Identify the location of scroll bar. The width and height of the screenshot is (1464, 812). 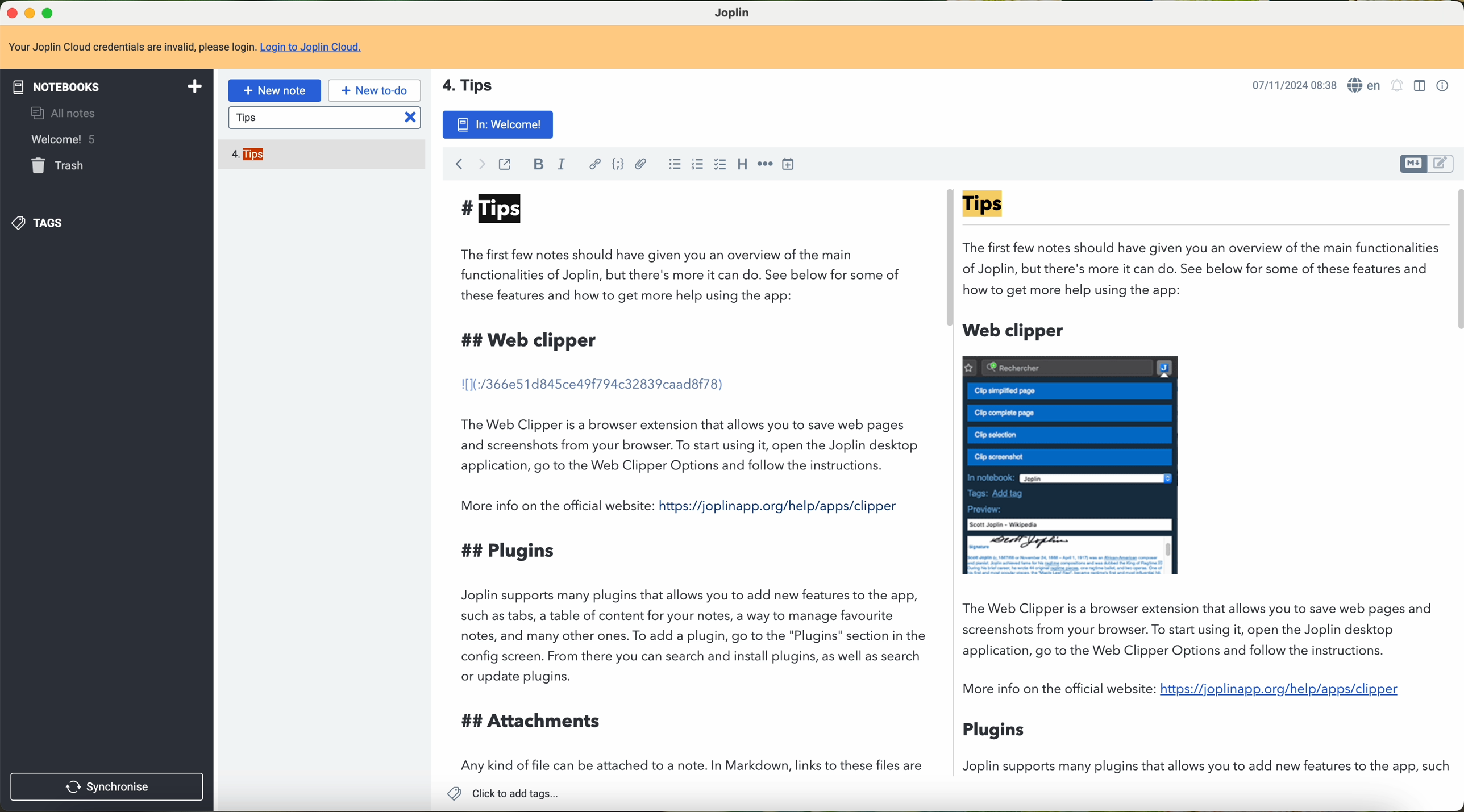
(1455, 262).